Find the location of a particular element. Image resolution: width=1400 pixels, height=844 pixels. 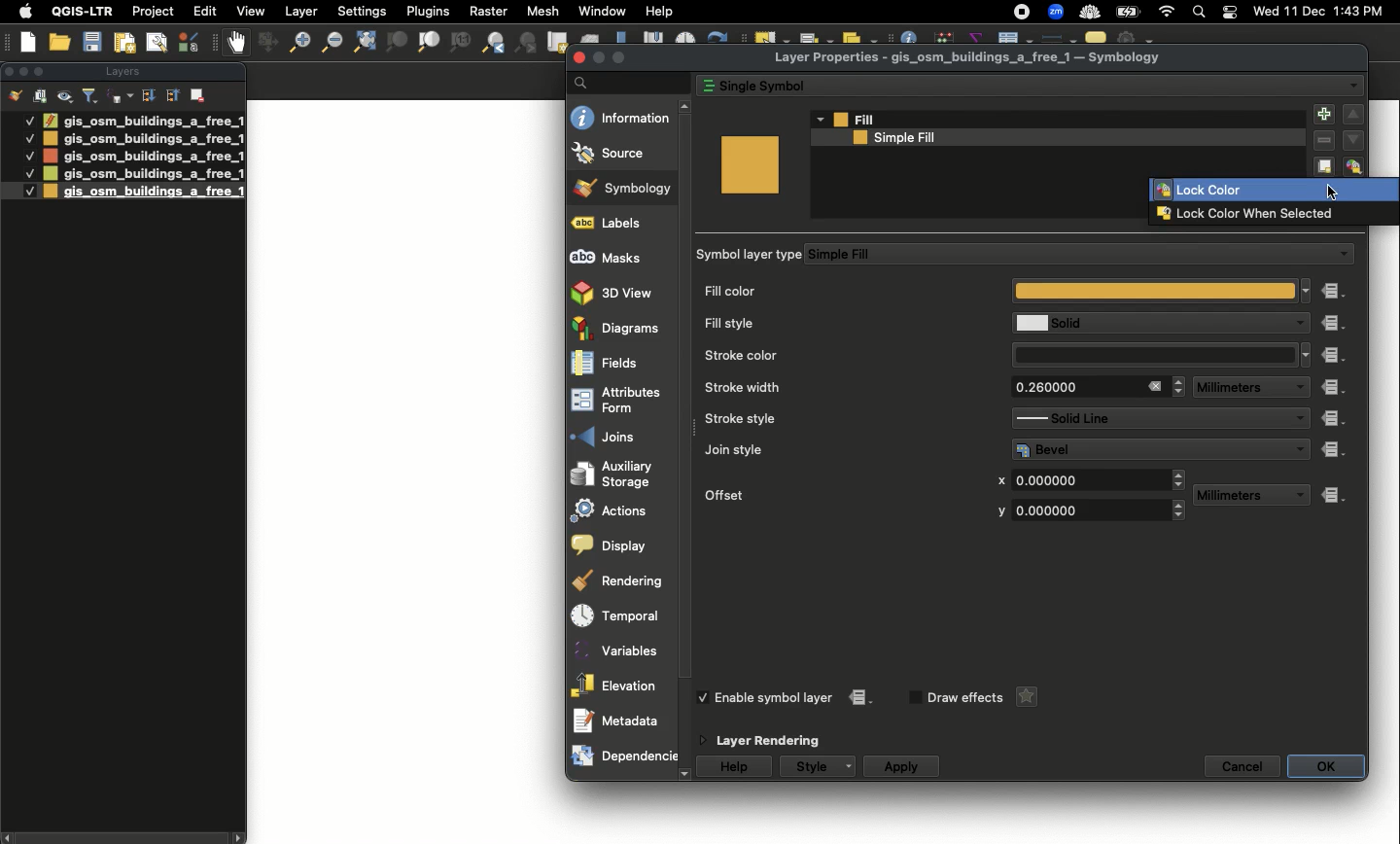

down is located at coordinates (1353, 139).